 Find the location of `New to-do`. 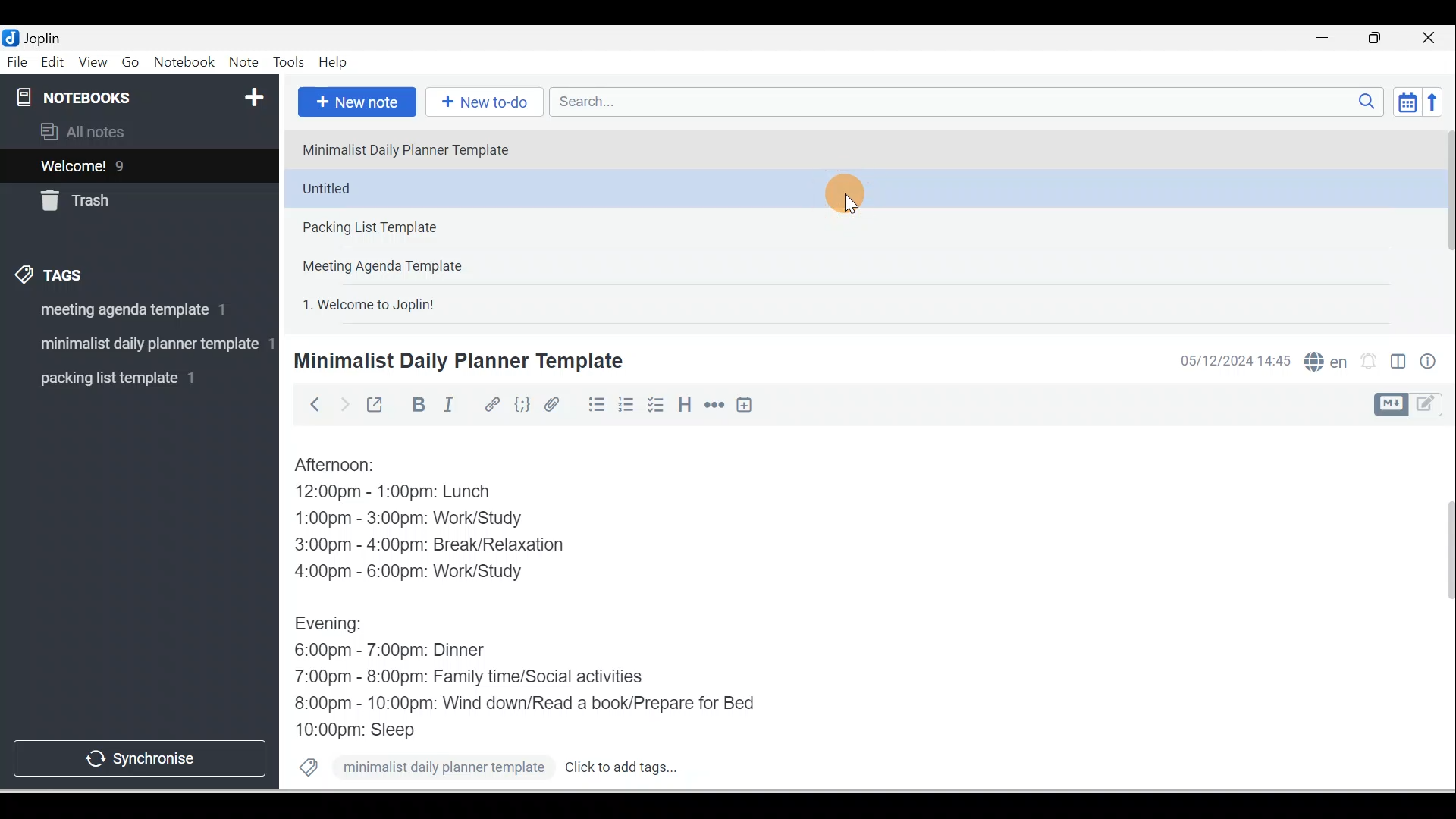

New to-do is located at coordinates (481, 103).